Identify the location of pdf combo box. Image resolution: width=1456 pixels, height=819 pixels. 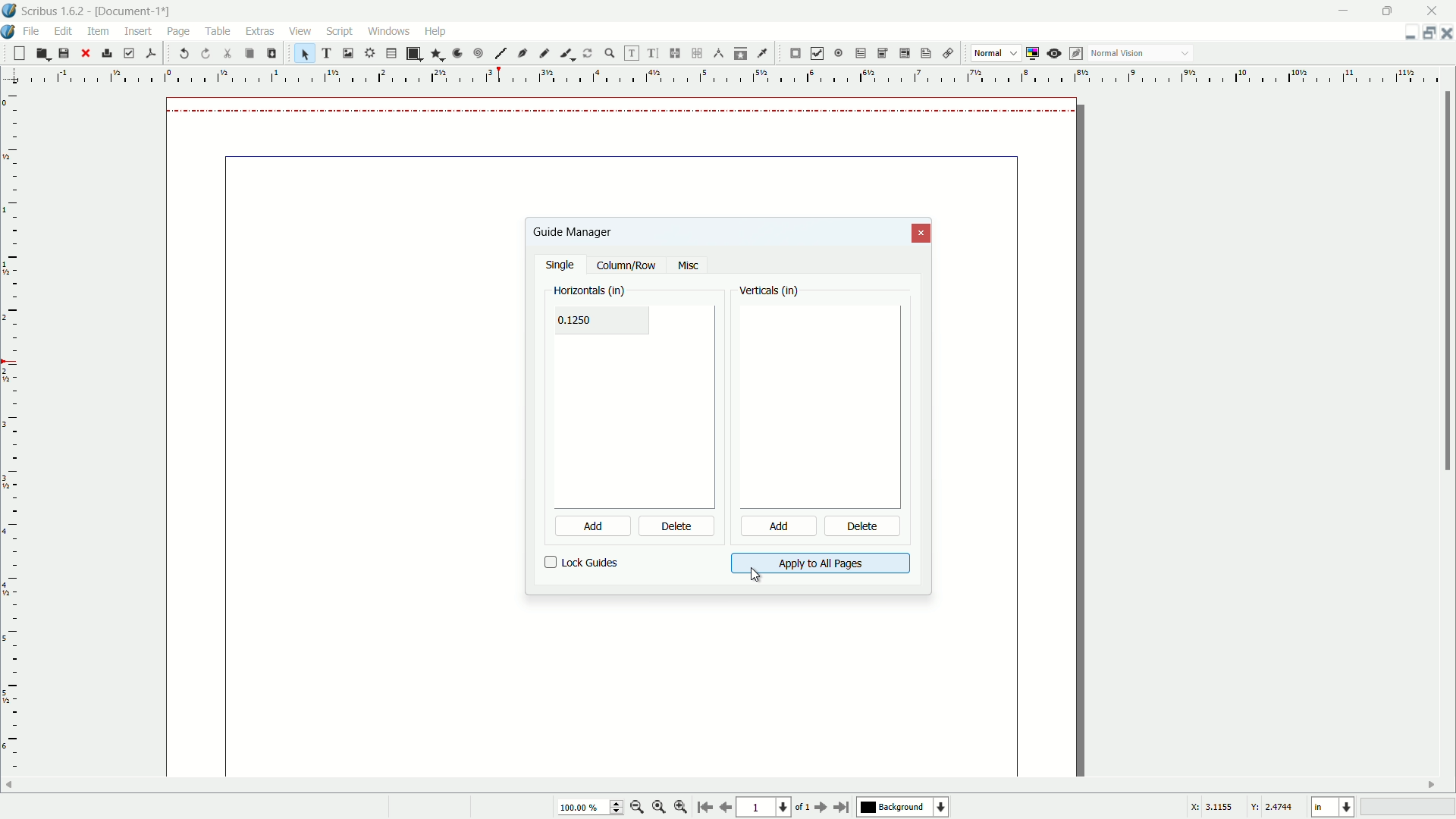
(881, 52).